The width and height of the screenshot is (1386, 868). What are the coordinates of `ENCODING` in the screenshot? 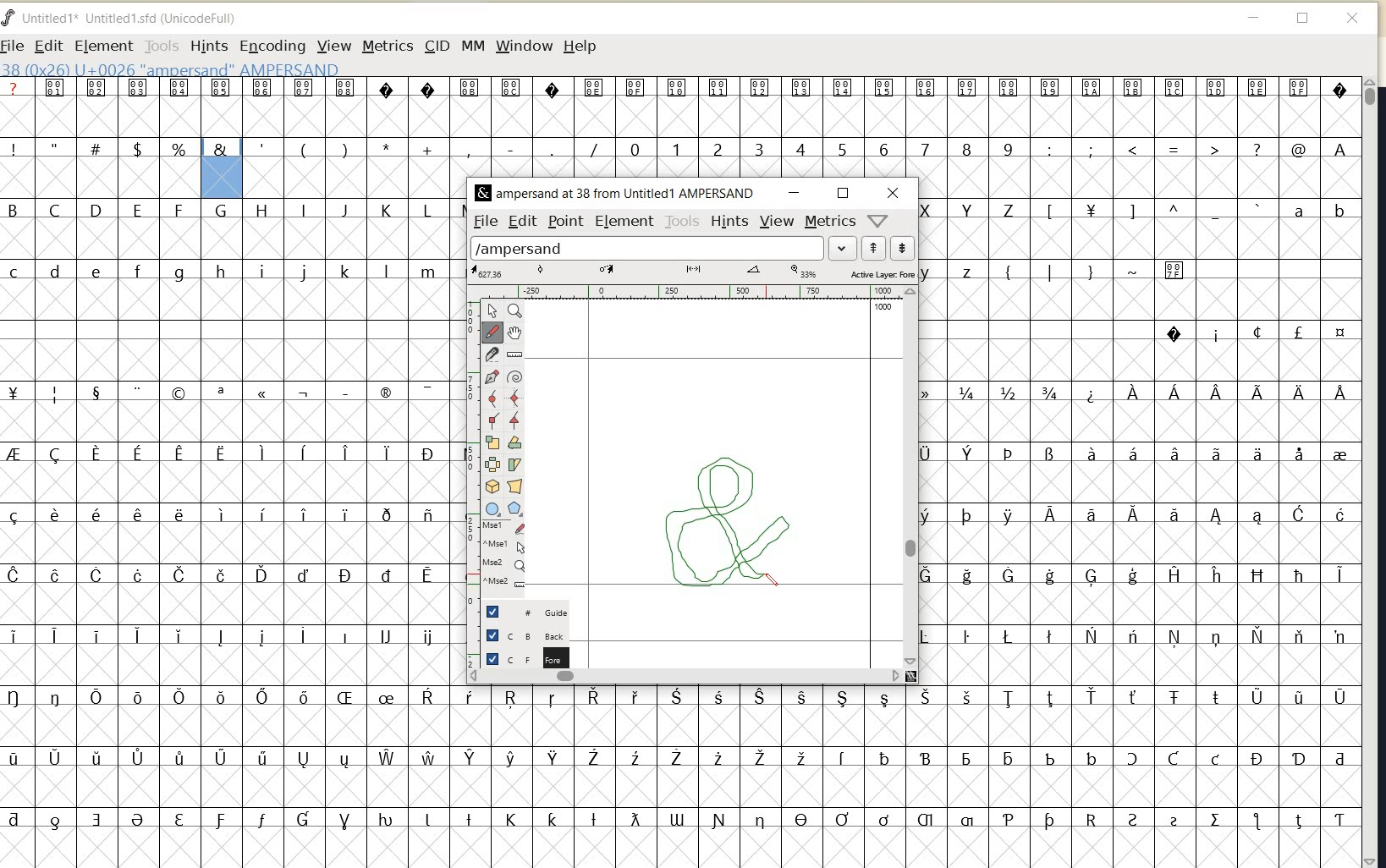 It's located at (272, 47).